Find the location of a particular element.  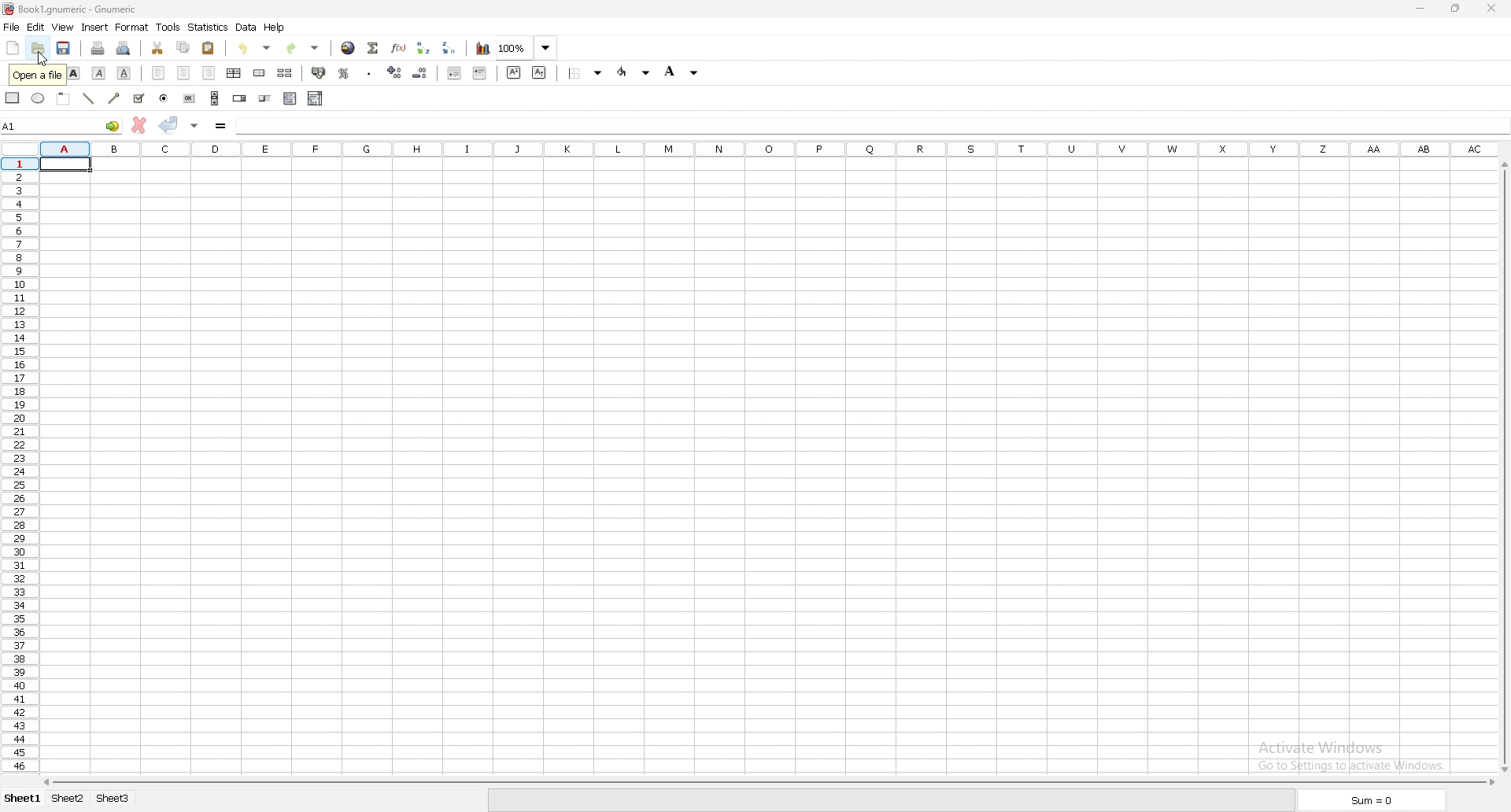

resize is located at coordinates (1454, 8).